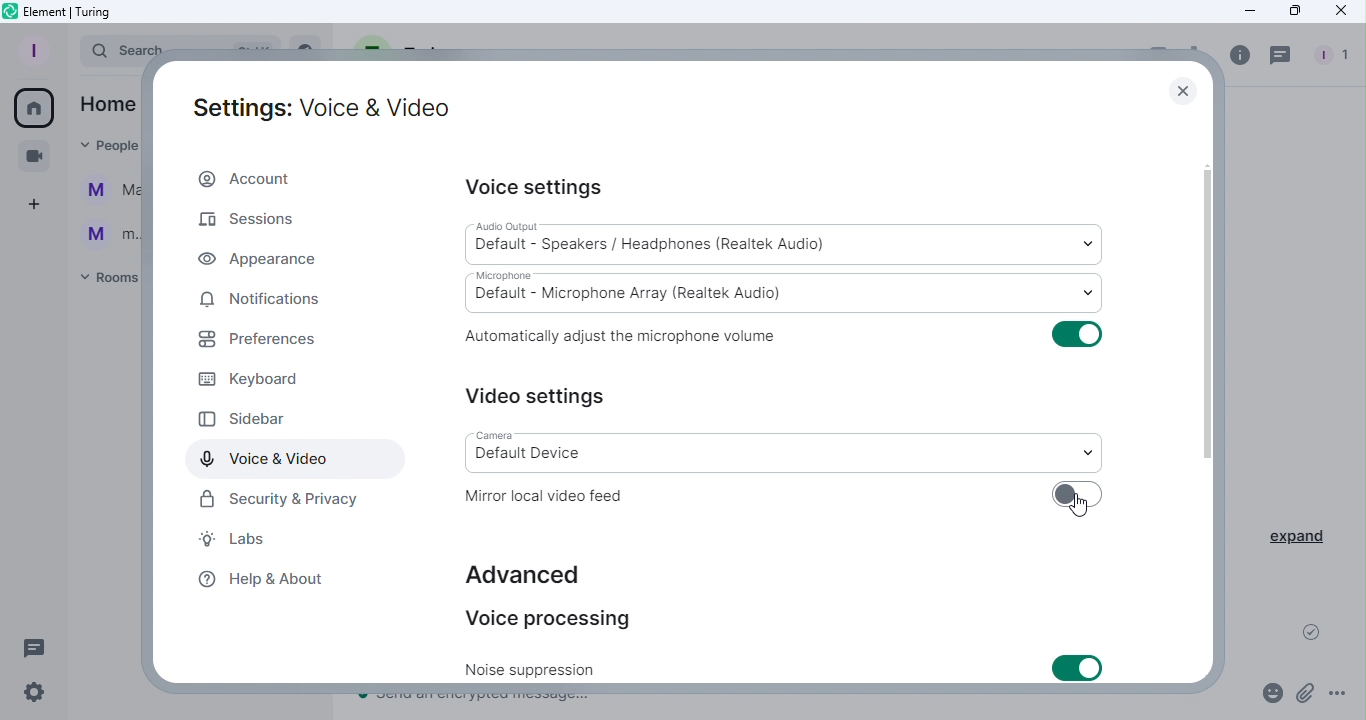  What do you see at coordinates (542, 669) in the screenshot?
I see `Noise suppression` at bounding box center [542, 669].